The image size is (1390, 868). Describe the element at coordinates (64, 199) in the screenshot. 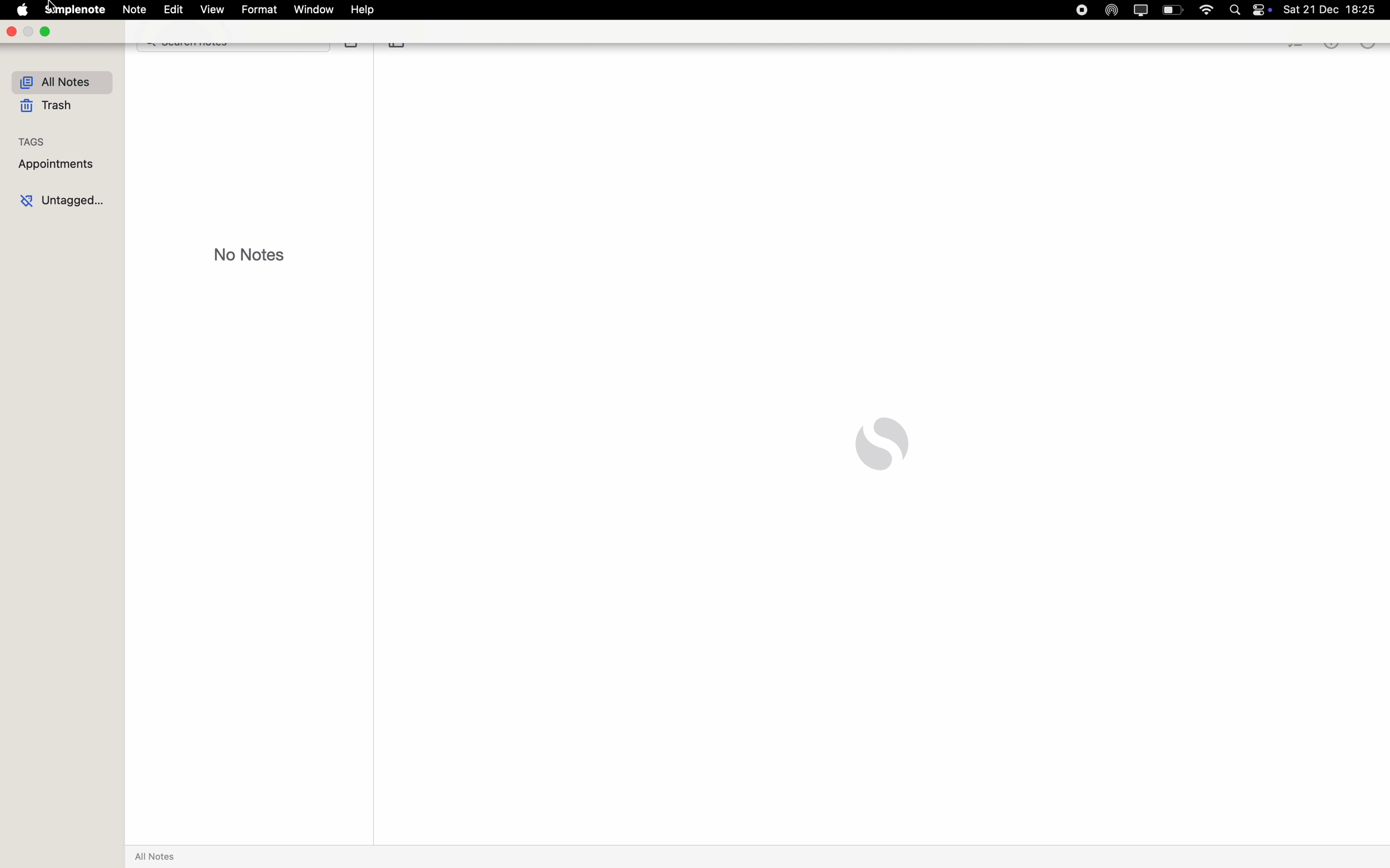

I see `untagged` at that location.